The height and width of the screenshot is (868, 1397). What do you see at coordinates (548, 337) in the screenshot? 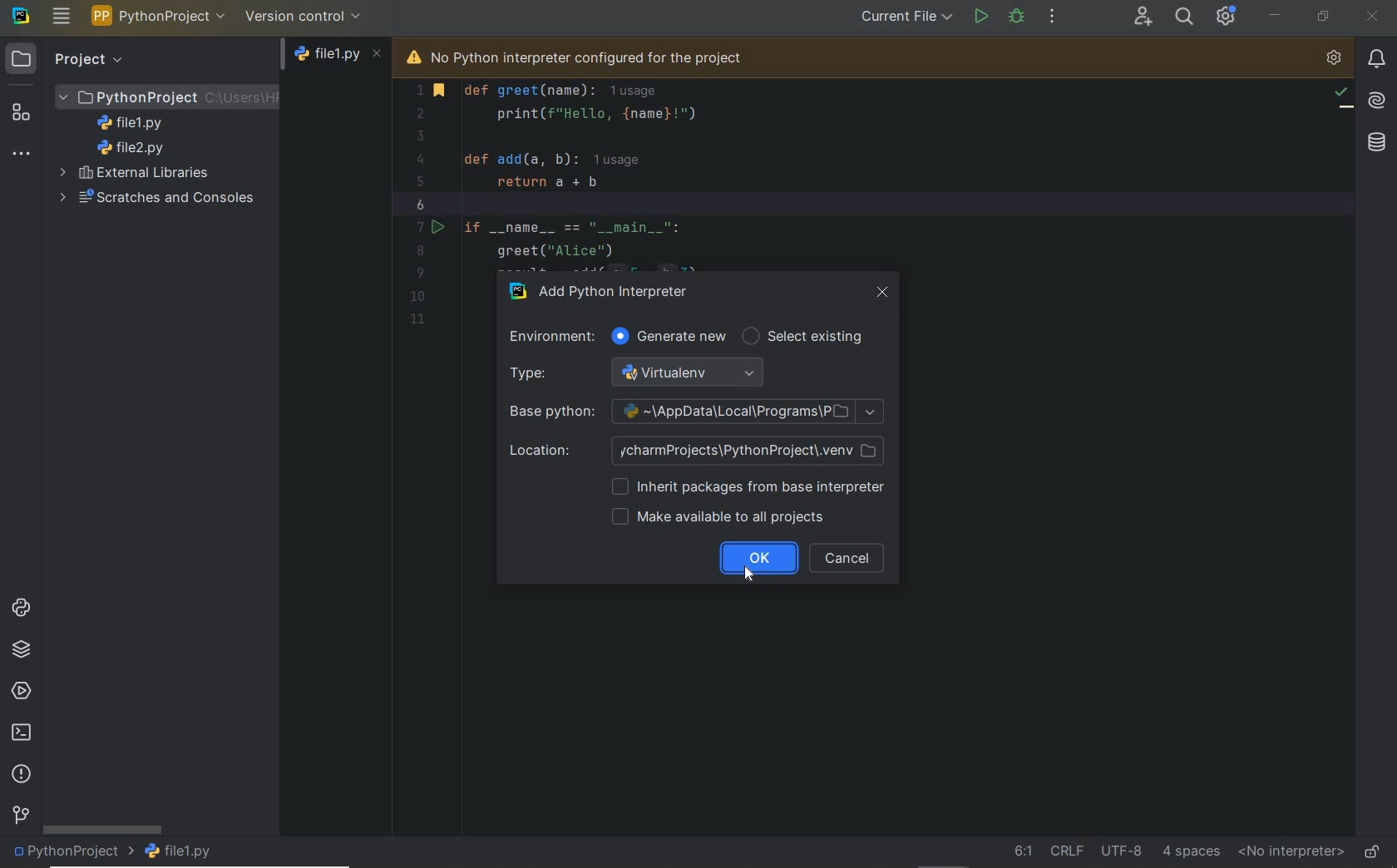
I see `Environment` at bounding box center [548, 337].